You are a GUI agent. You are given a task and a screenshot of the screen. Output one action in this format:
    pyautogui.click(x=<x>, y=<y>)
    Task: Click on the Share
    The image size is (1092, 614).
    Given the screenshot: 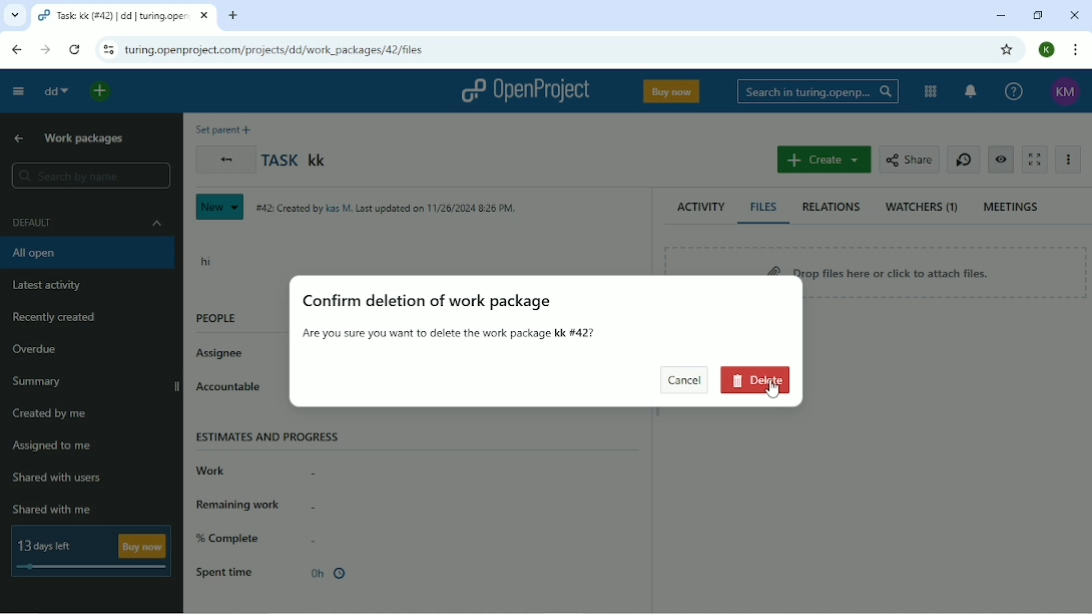 What is the action you would take?
    pyautogui.click(x=909, y=160)
    